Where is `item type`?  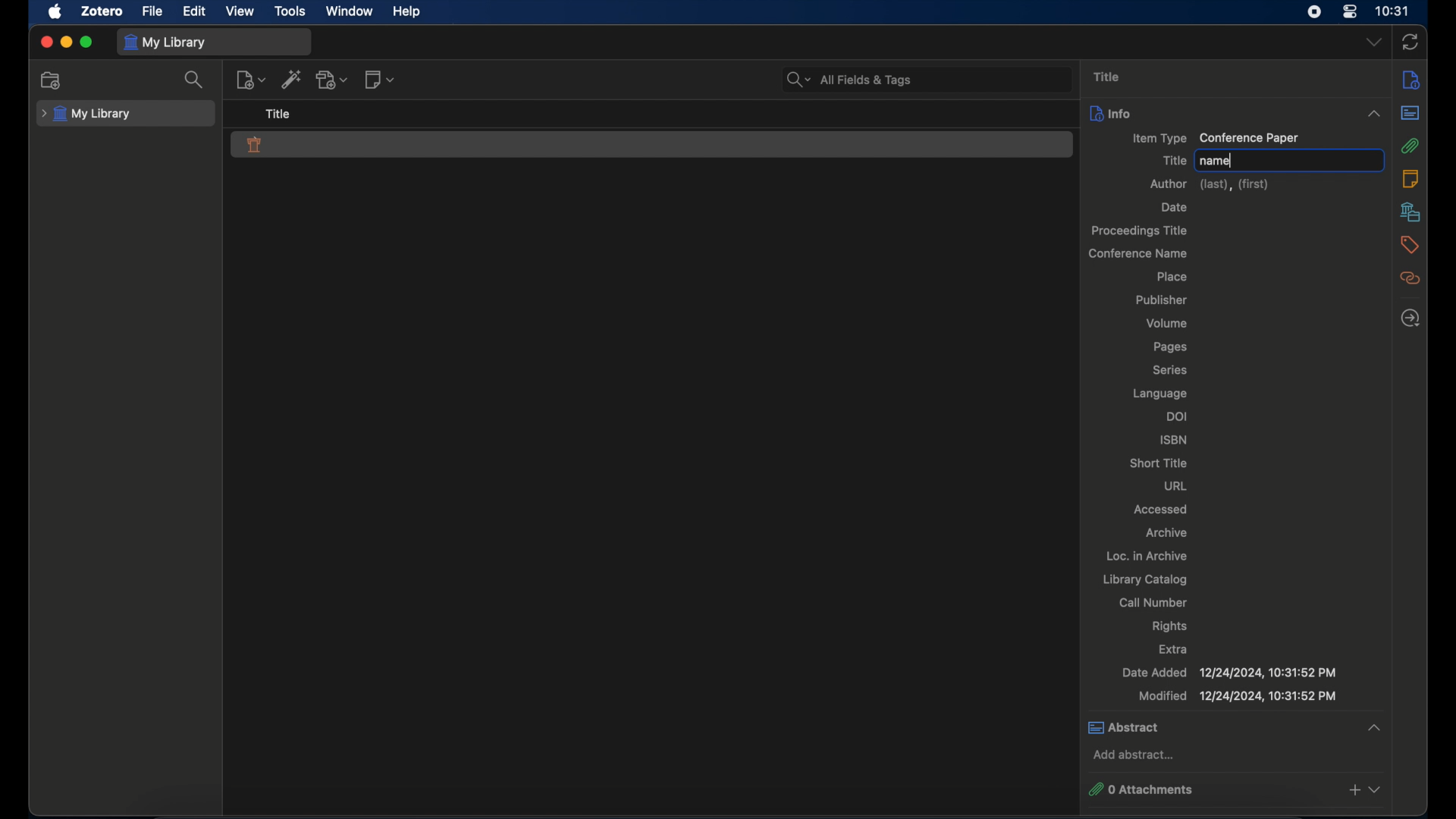
item type is located at coordinates (1215, 139).